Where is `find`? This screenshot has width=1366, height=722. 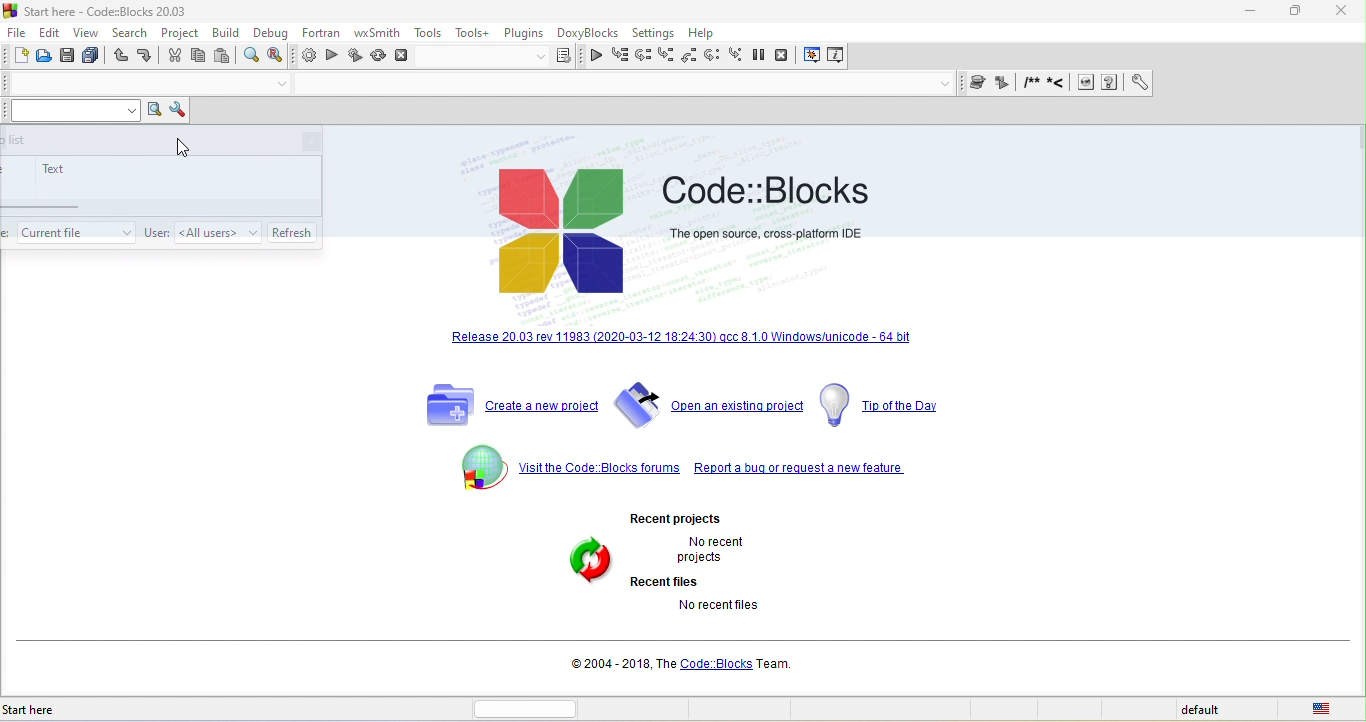 find is located at coordinates (253, 57).